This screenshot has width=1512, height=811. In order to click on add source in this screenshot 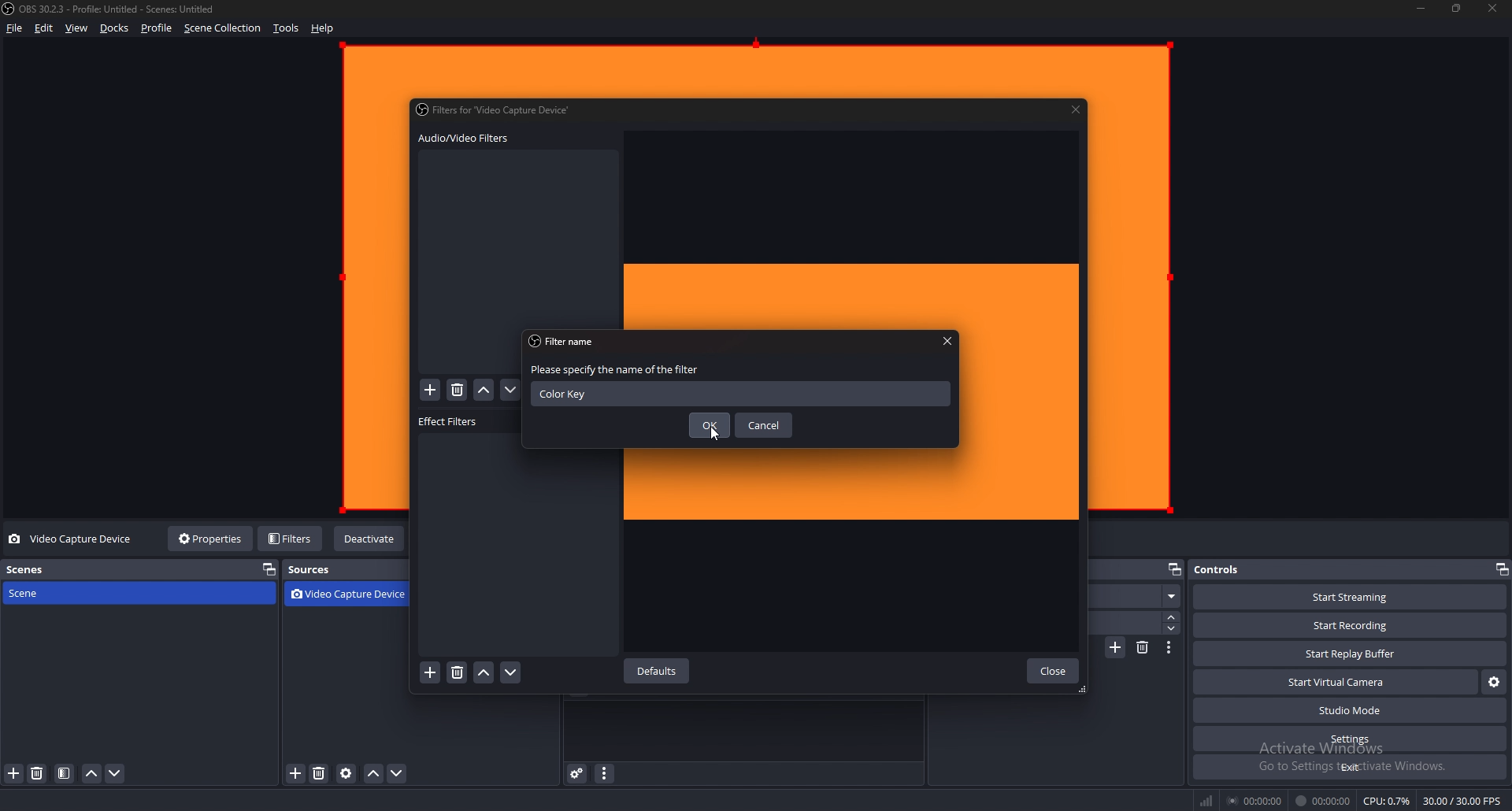, I will do `click(297, 774)`.